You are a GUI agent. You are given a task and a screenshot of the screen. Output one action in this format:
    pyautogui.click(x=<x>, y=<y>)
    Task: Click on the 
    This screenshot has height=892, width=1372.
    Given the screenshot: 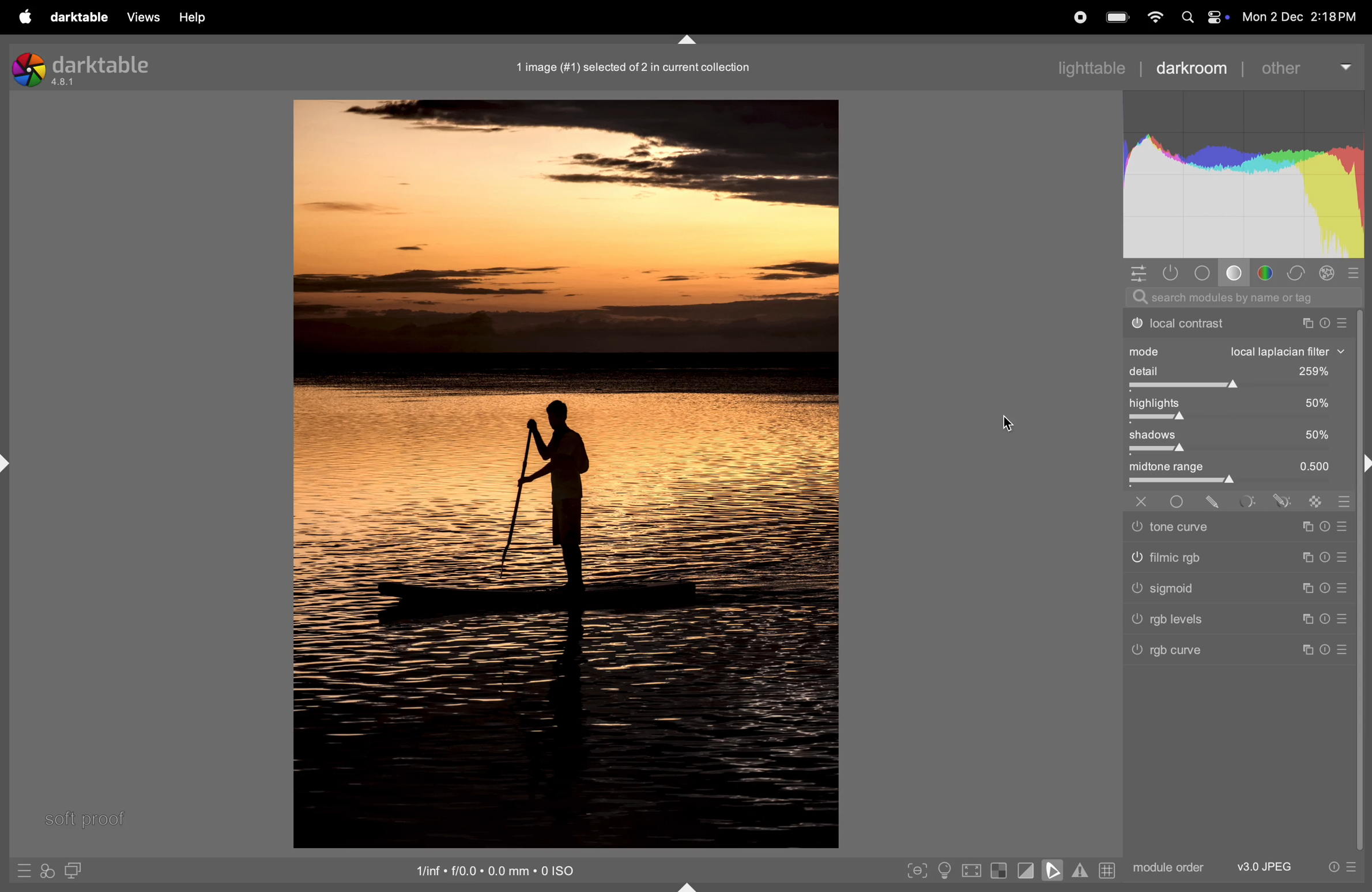 What is the action you would take?
    pyautogui.click(x=1181, y=501)
    